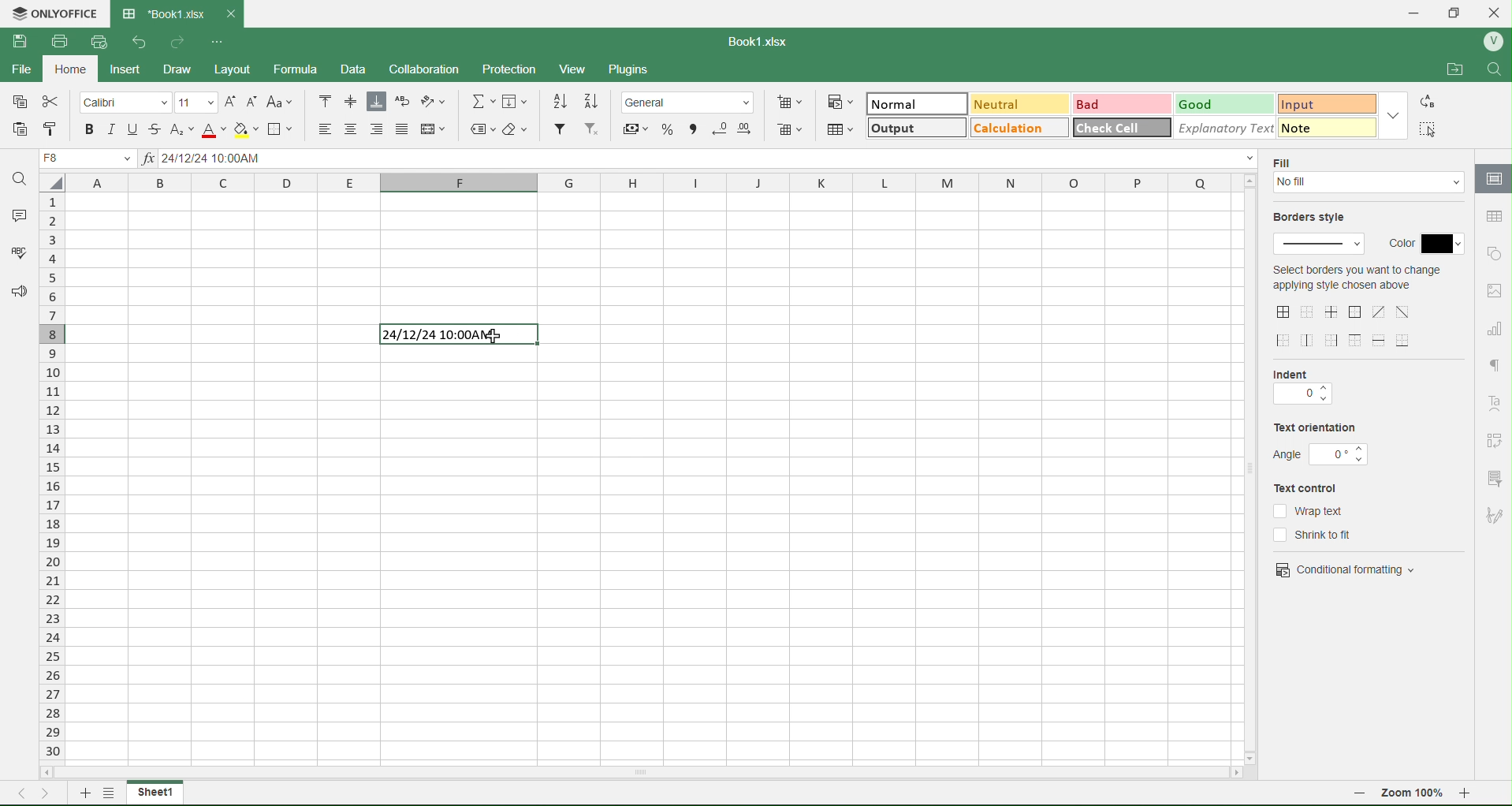  Describe the element at coordinates (1497, 404) in the screenshot. I see `text style` at that location.